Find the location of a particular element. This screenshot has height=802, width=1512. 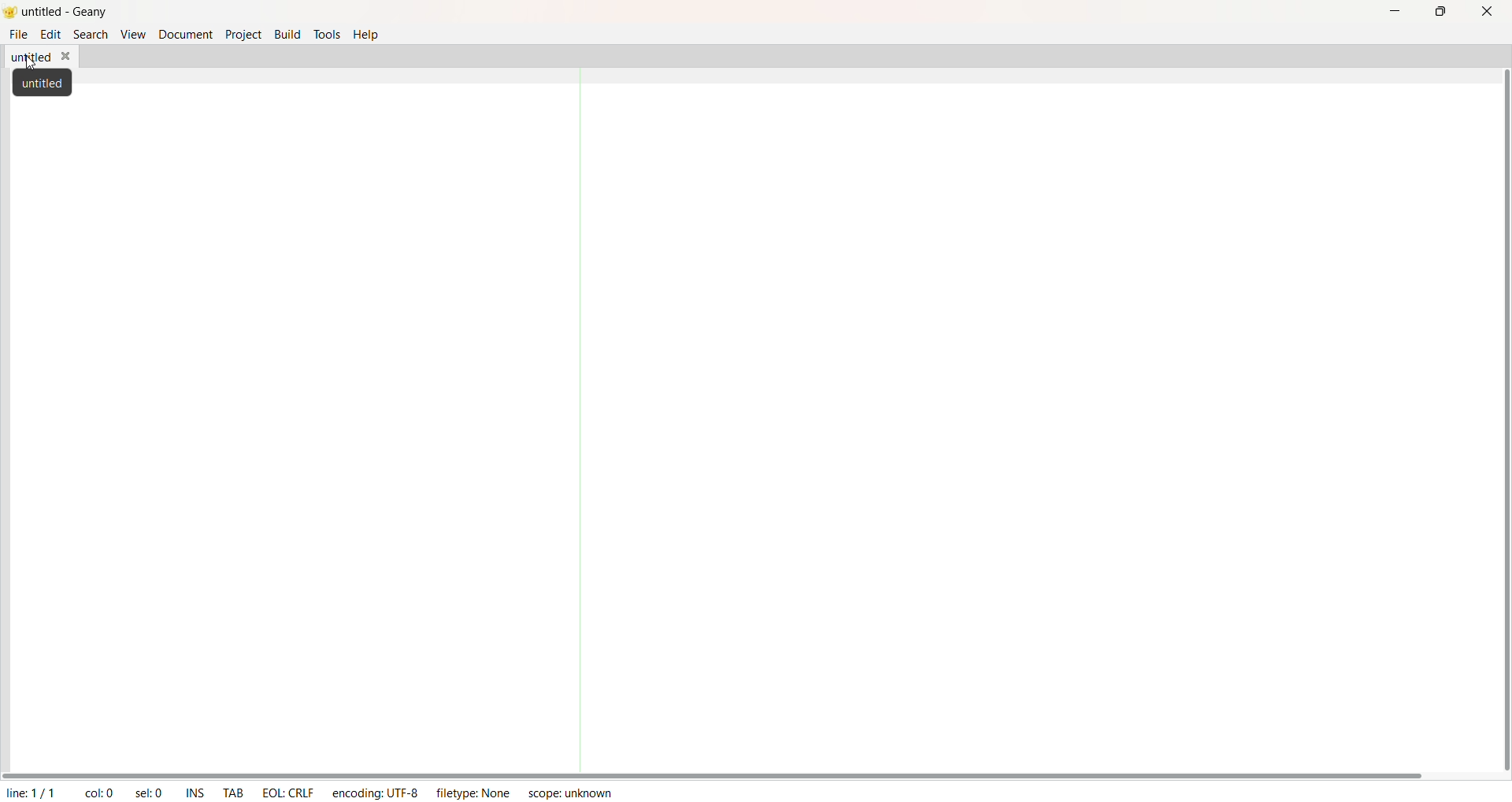

Project is located at coordinates (243, 34).